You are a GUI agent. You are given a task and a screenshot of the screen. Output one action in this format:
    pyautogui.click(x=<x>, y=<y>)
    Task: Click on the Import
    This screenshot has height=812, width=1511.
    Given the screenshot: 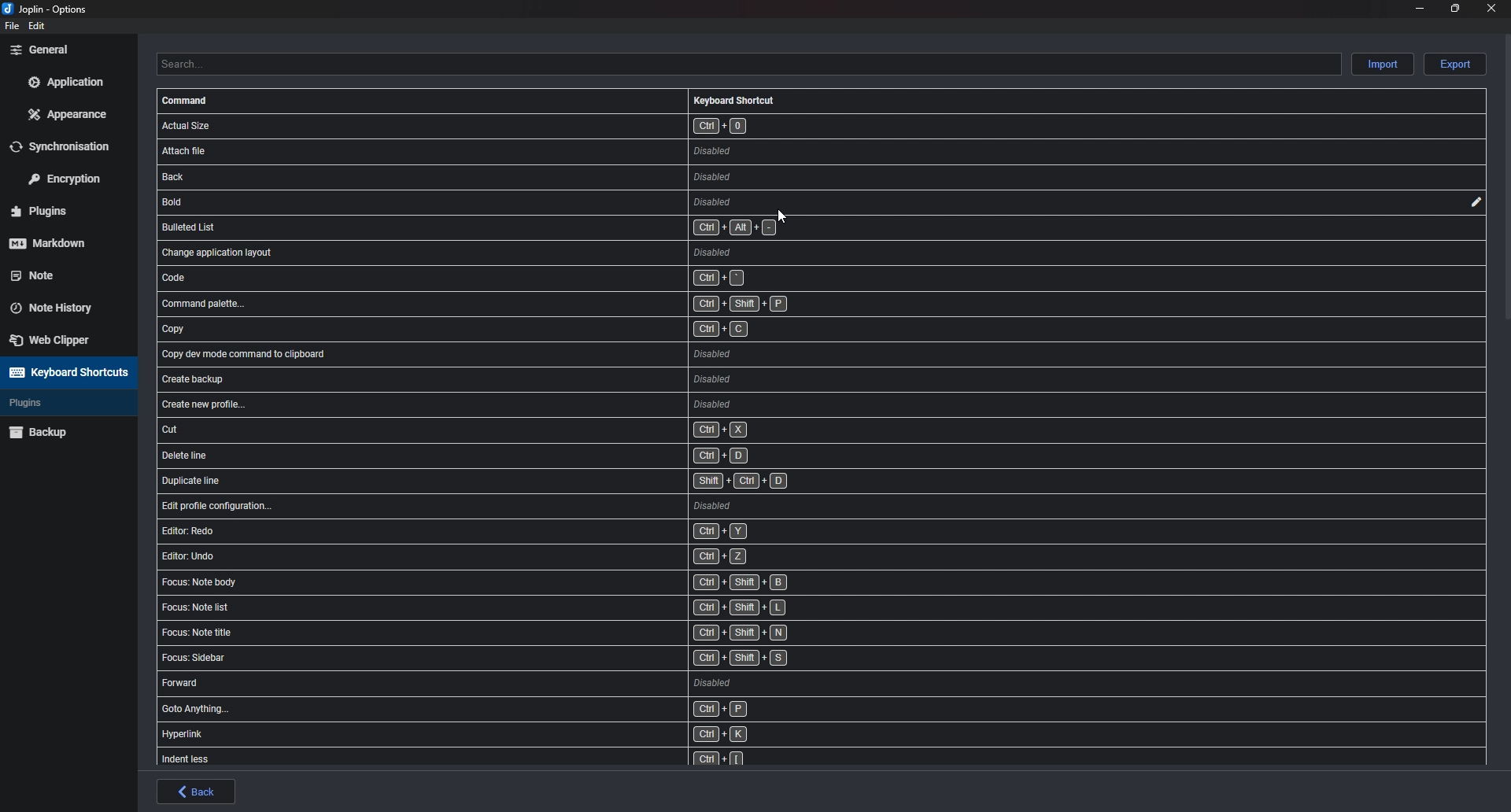 What is the action you would take?
    pyautogui.click(x=1384, y=63)
    